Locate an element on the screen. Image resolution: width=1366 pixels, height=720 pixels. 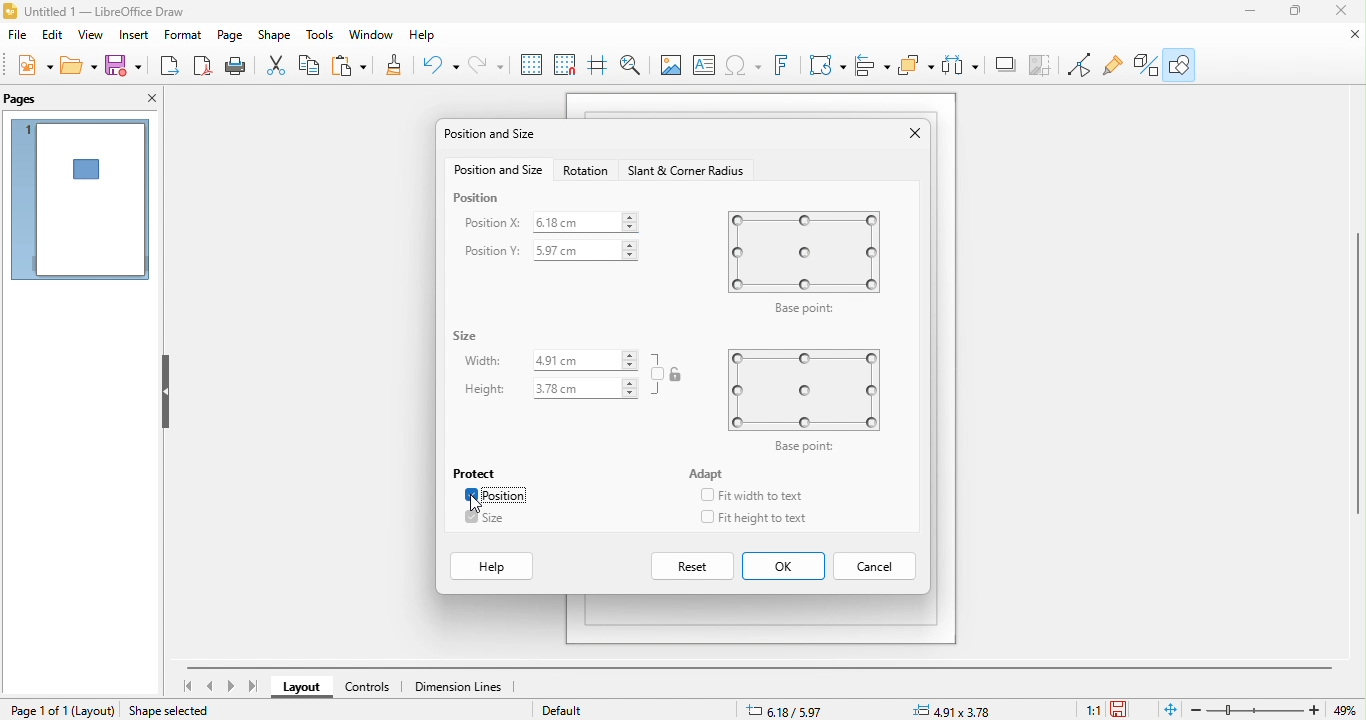
export directly as pdf is located at coordinates (199, 66).